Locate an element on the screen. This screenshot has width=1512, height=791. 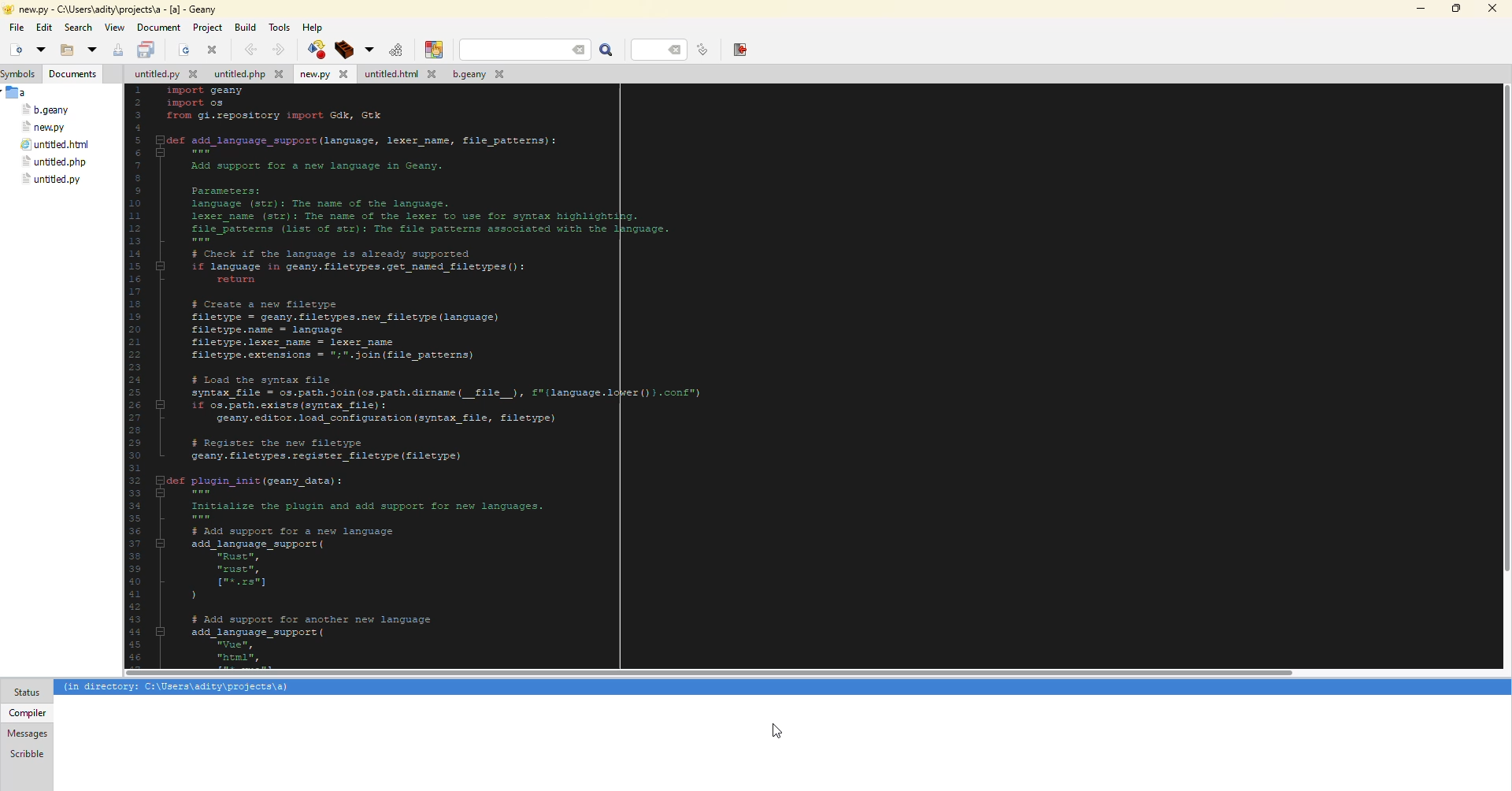
scroll bar is located at coordinates (1509, 345).